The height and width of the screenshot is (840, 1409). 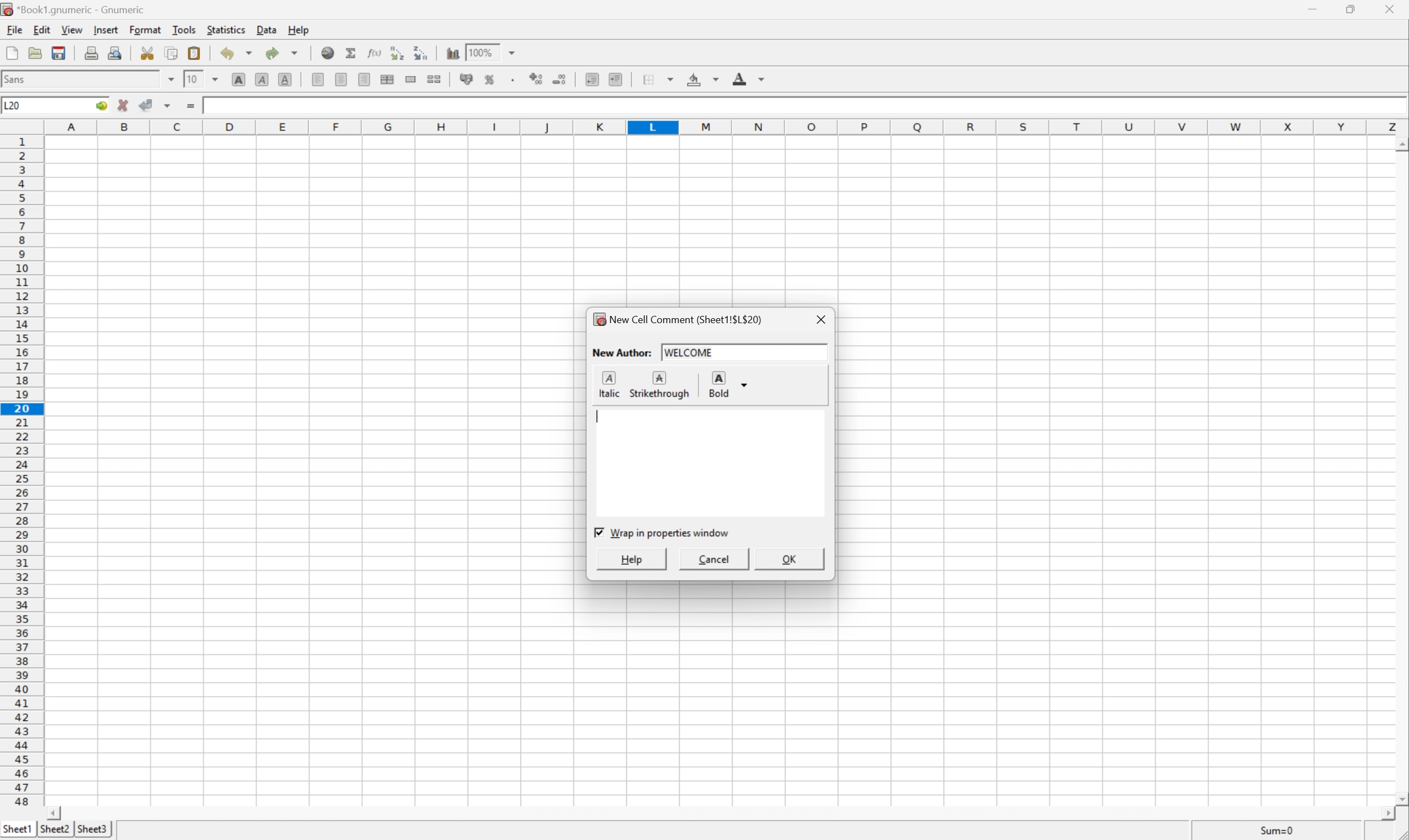 I want to click on Statistics, so click(x=227, y=29).